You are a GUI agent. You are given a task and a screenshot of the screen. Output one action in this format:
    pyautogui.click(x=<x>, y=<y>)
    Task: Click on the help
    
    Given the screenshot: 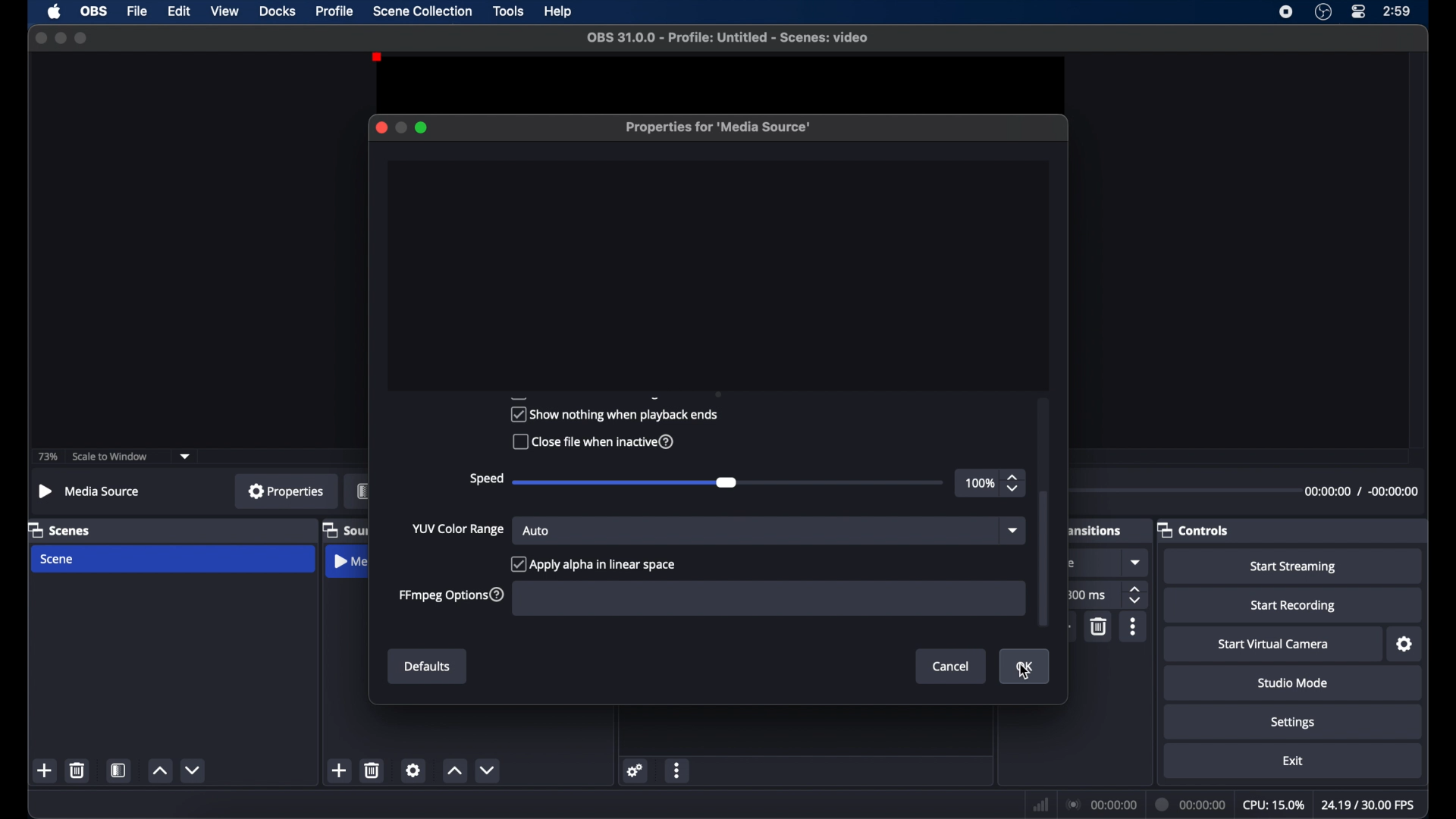 What is the action you would take?
    pyautogui.click(x=559, y=12)
    